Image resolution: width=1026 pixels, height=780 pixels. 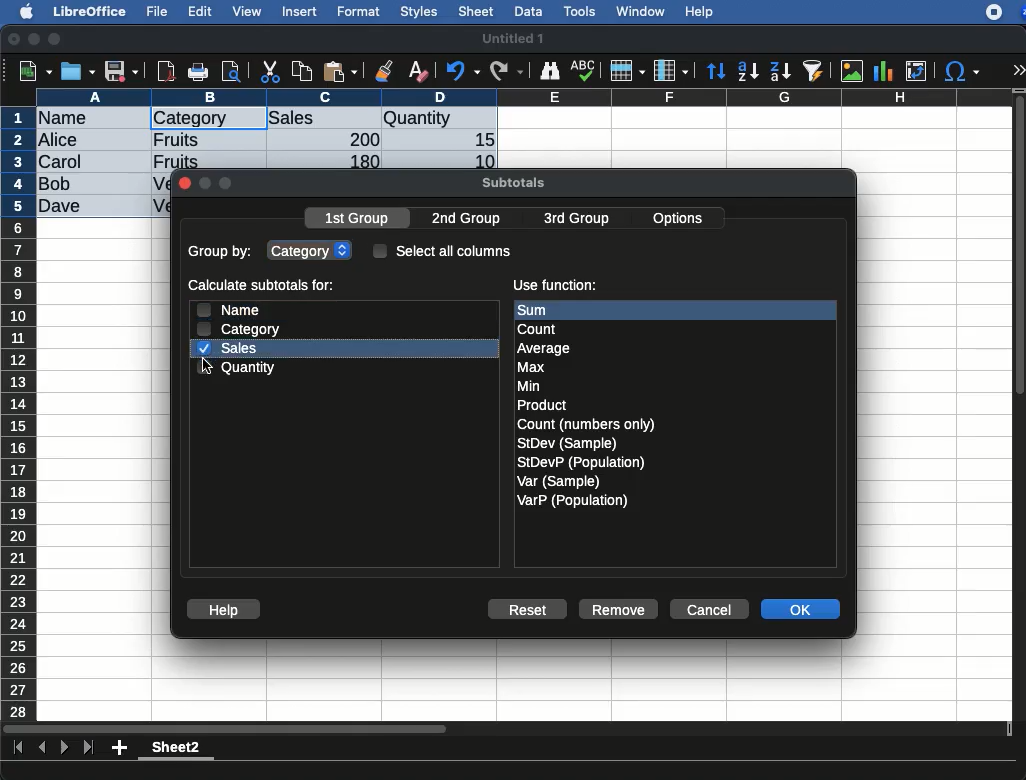 What do you see at coordinates (271, 71) in the screenshot?
I see `cut` at bounding box center [271, 71].